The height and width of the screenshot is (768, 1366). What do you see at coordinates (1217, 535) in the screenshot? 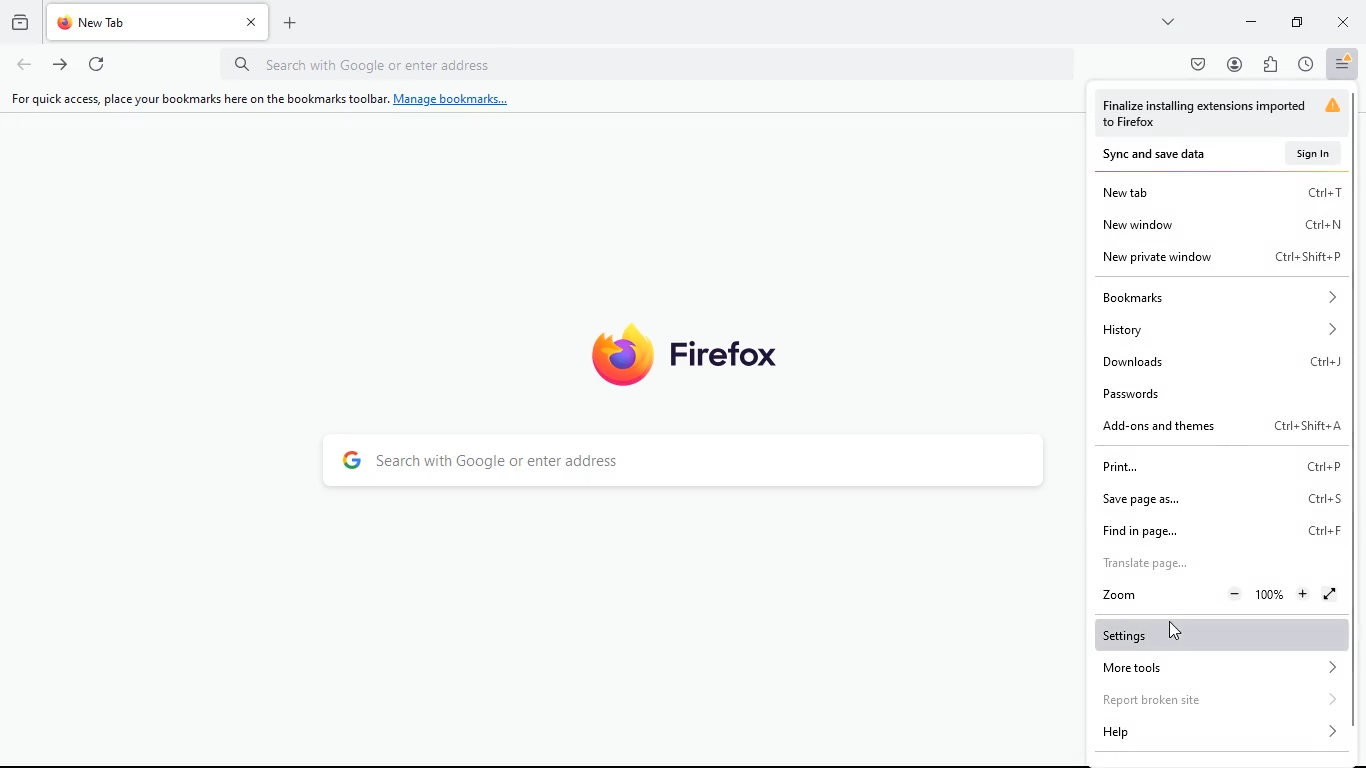
I see `find in page` at bounding box center [1217, 535].